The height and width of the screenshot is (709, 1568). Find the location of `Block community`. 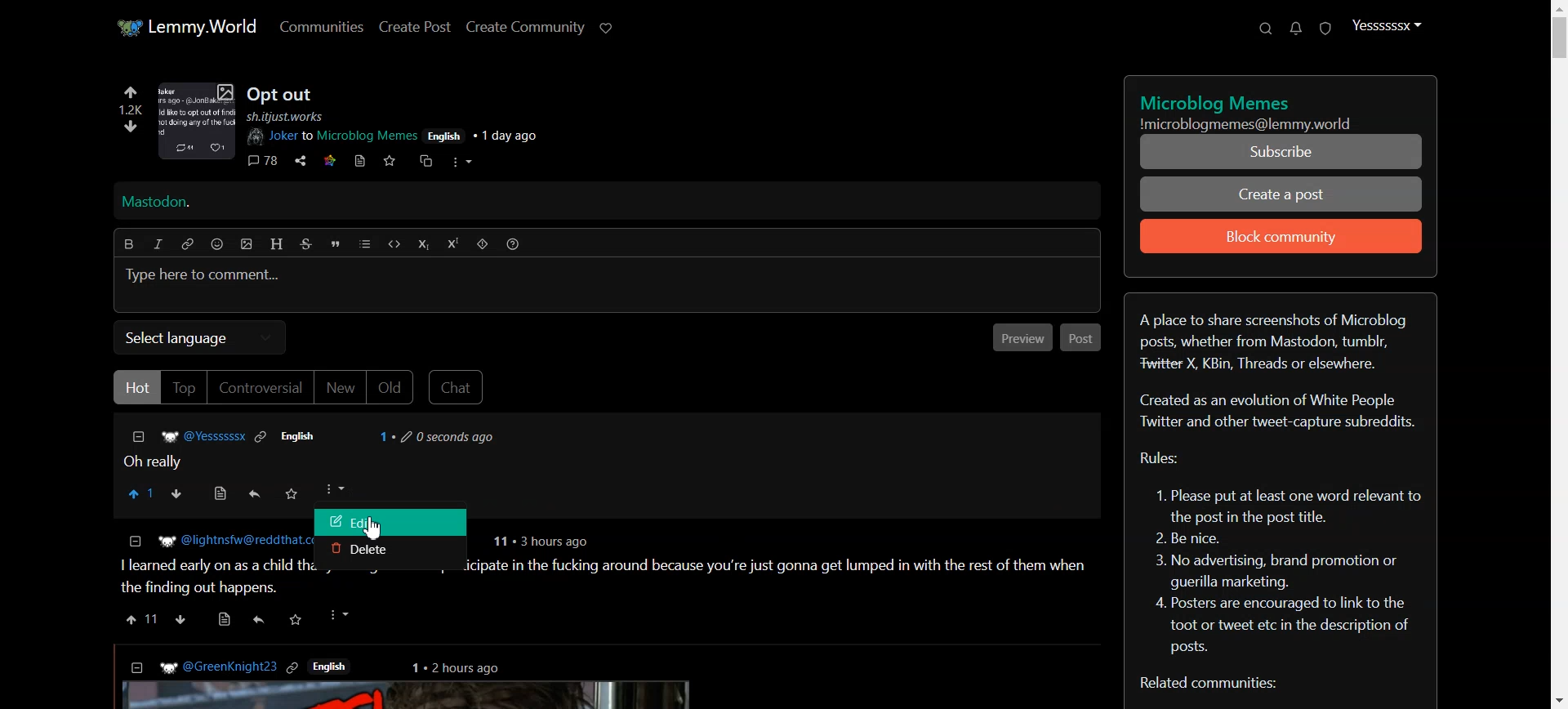

Block community is located at coordinates (1281, 236).